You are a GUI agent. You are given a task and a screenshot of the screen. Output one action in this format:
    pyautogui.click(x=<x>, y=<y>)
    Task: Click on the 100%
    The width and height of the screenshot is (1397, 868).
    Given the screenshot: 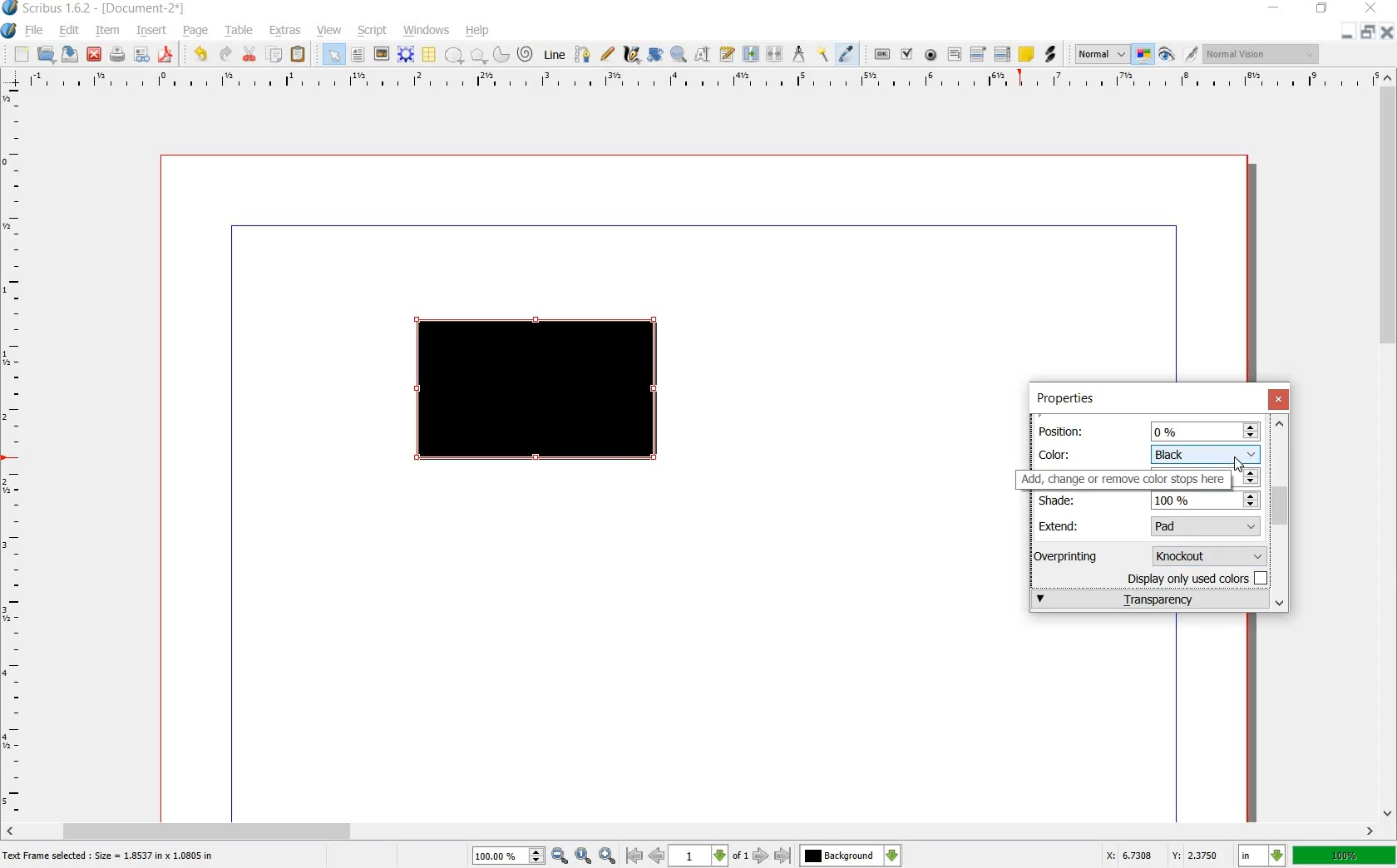 What is the action you would take?
    pyautogui.click(x=1345, y=855)
    